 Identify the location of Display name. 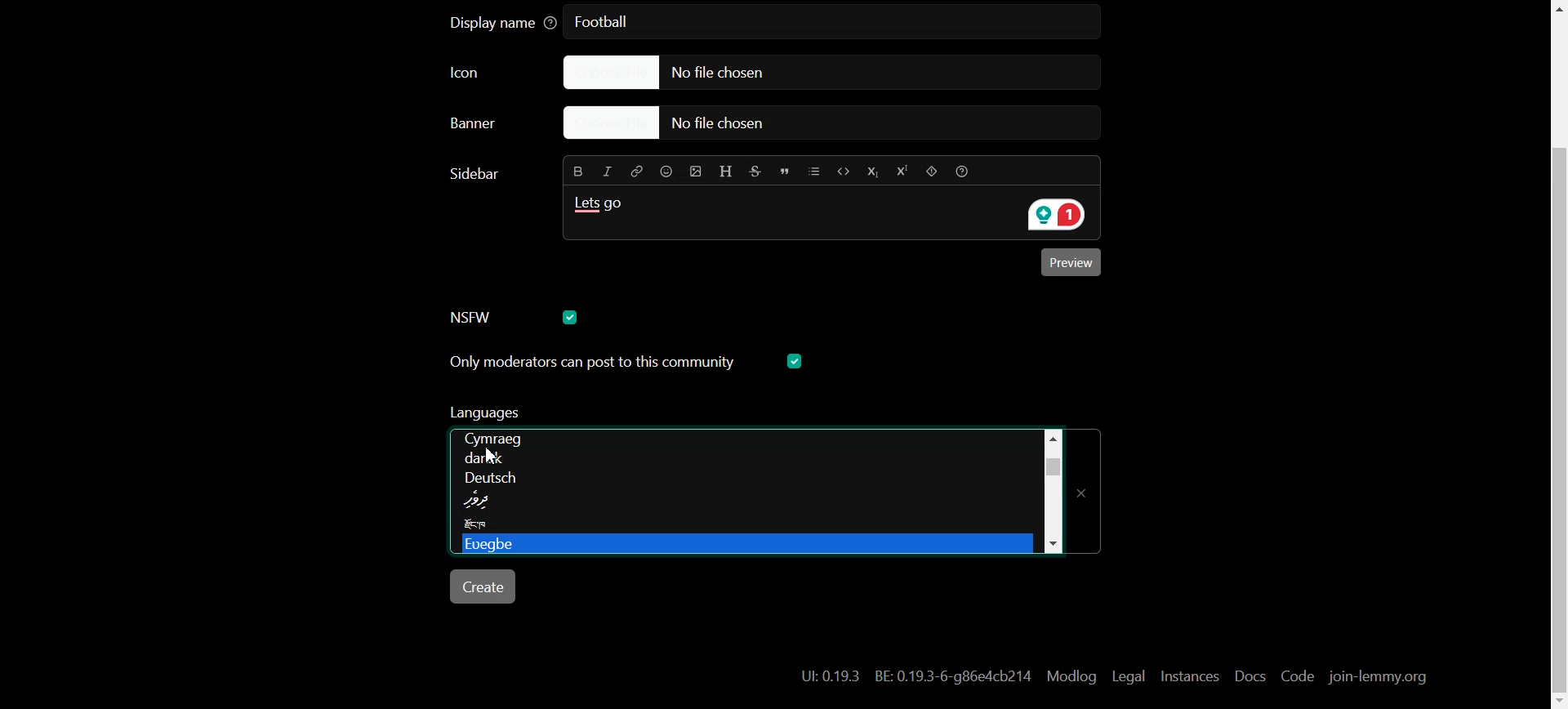
(503, 24).